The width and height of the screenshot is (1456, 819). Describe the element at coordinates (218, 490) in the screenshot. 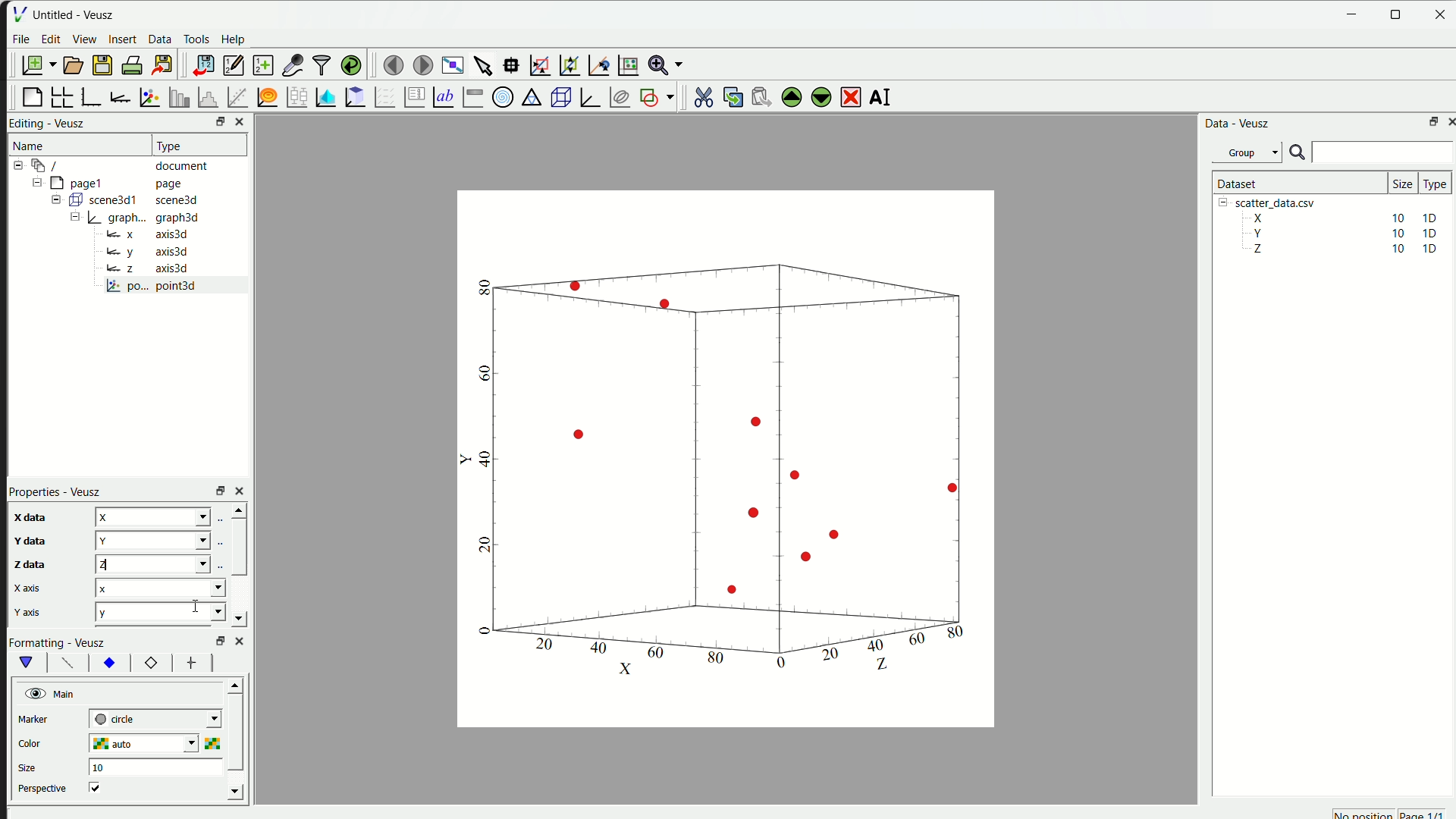

I see `rezise` at that location.